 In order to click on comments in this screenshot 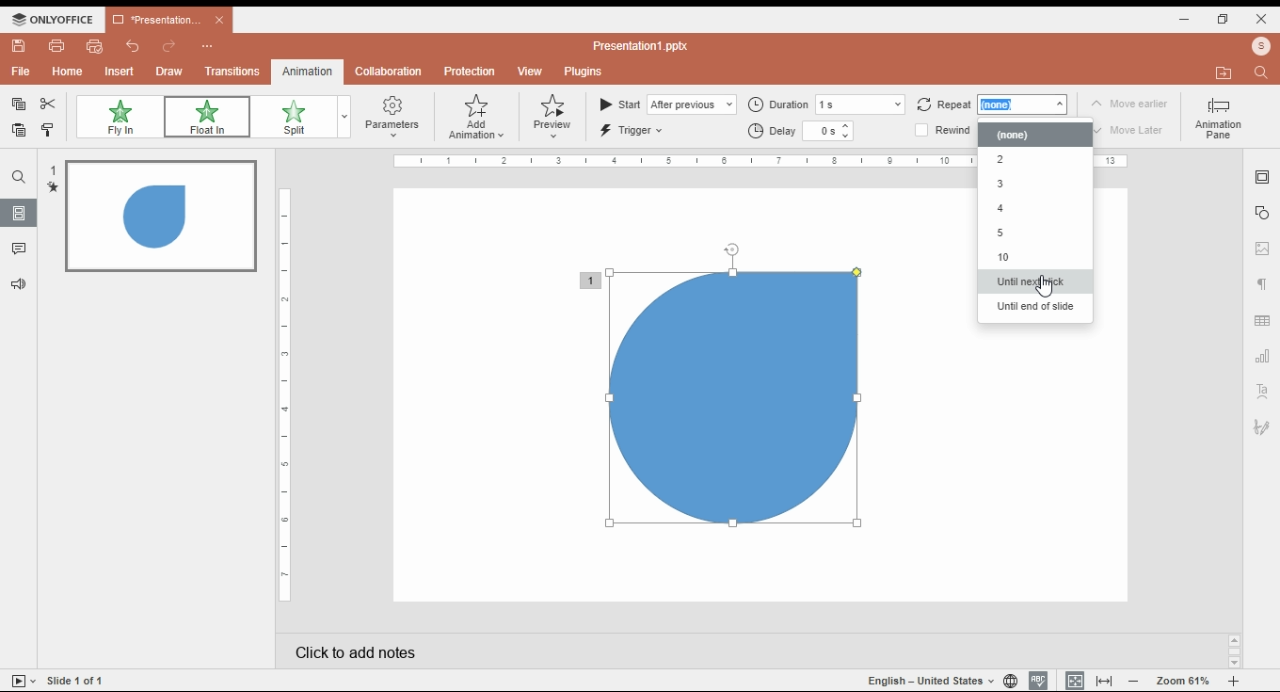, I will do `click(19, 249)`.